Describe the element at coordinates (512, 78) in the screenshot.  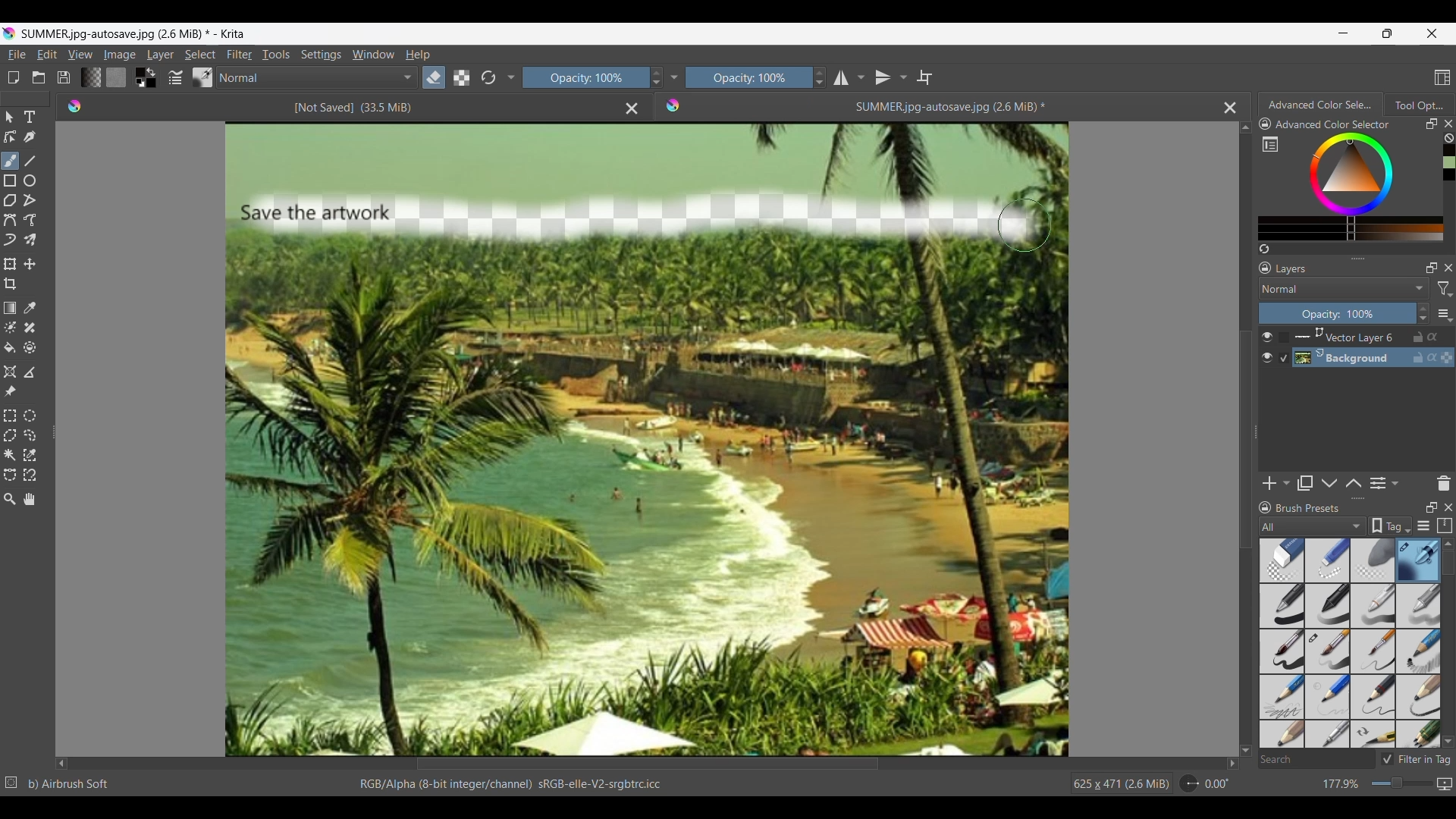
I see `Show/Hide tools` at that location.